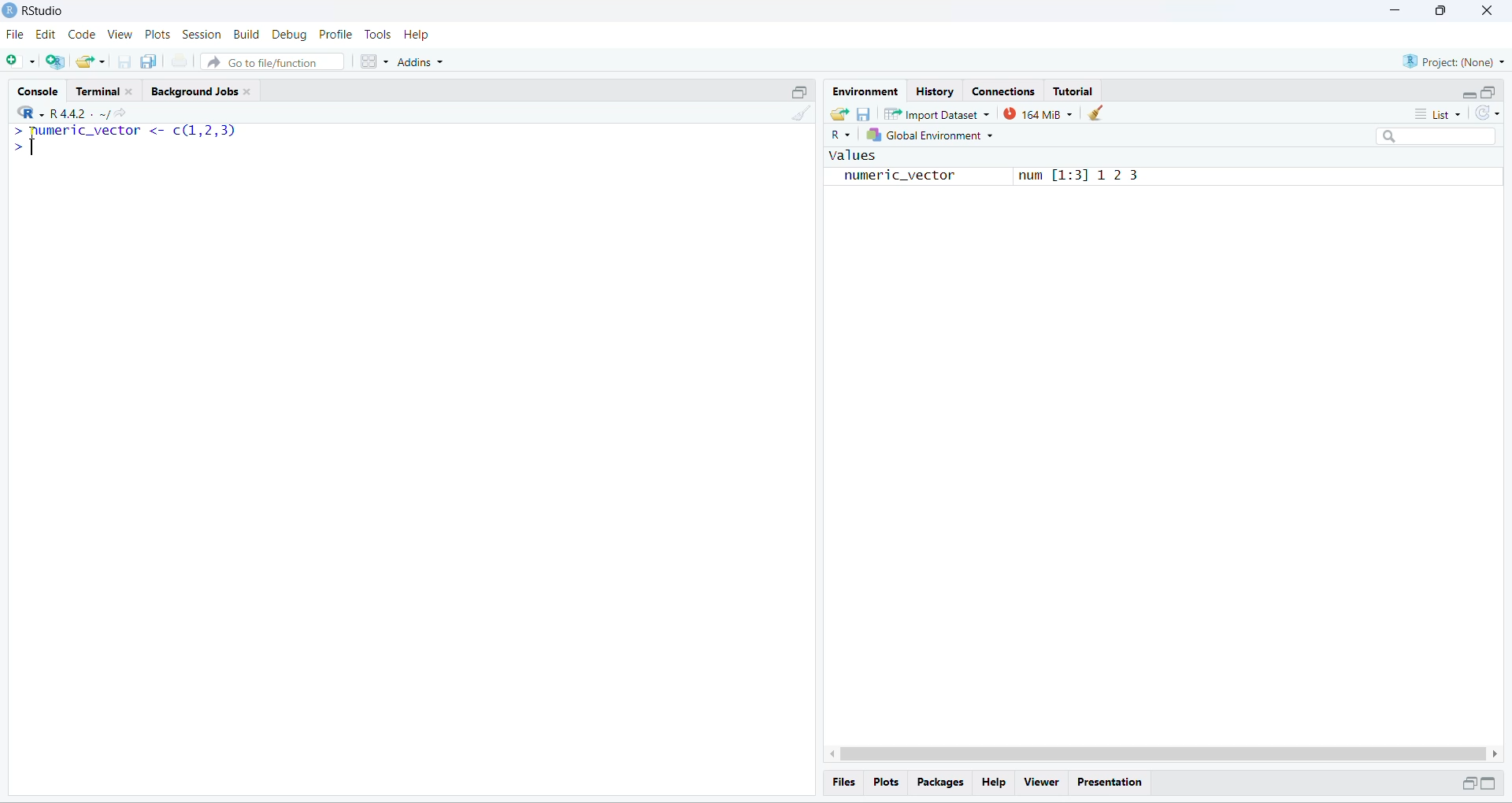 The height and width of the screenshot is (803, 1512). Describe the element at coordinates (246, 34) in the screenshot. I see `Build` at that location.